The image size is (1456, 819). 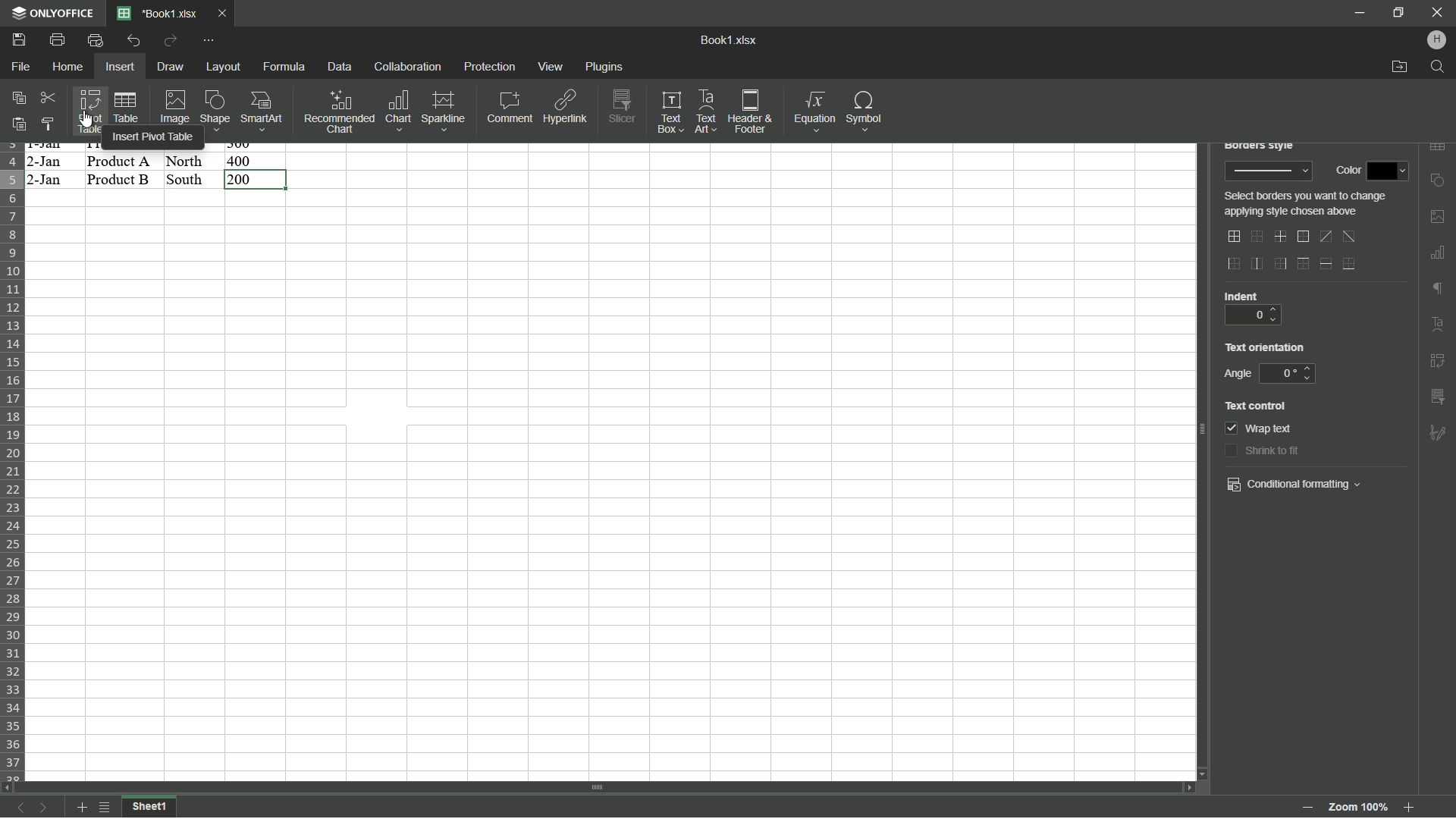 What do you see at coordinates (337, 66) in the screenshot?
I see `Data` at bounding box center [337, 66].